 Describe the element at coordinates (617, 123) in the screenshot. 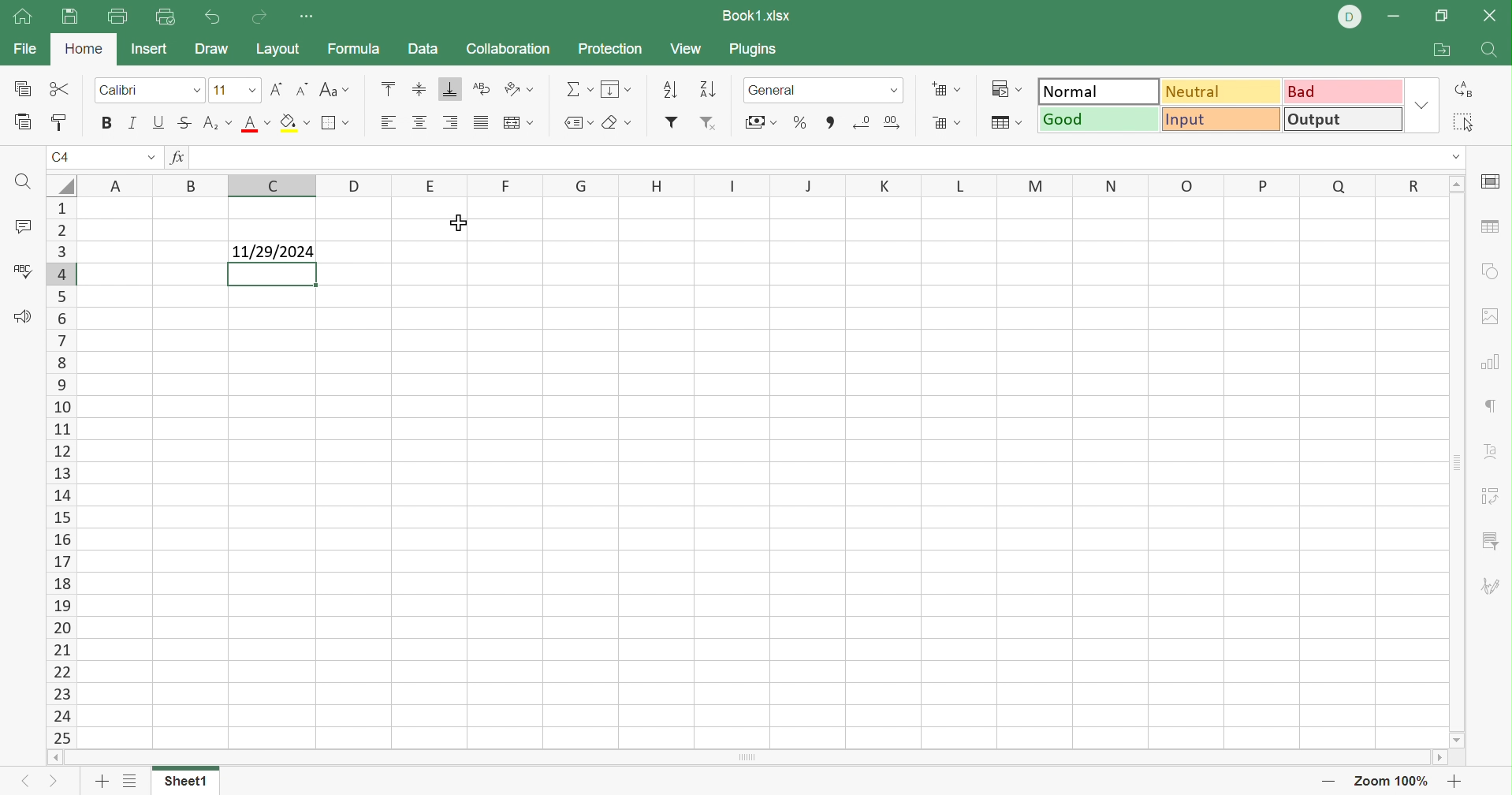

I see `Clear` at that location.